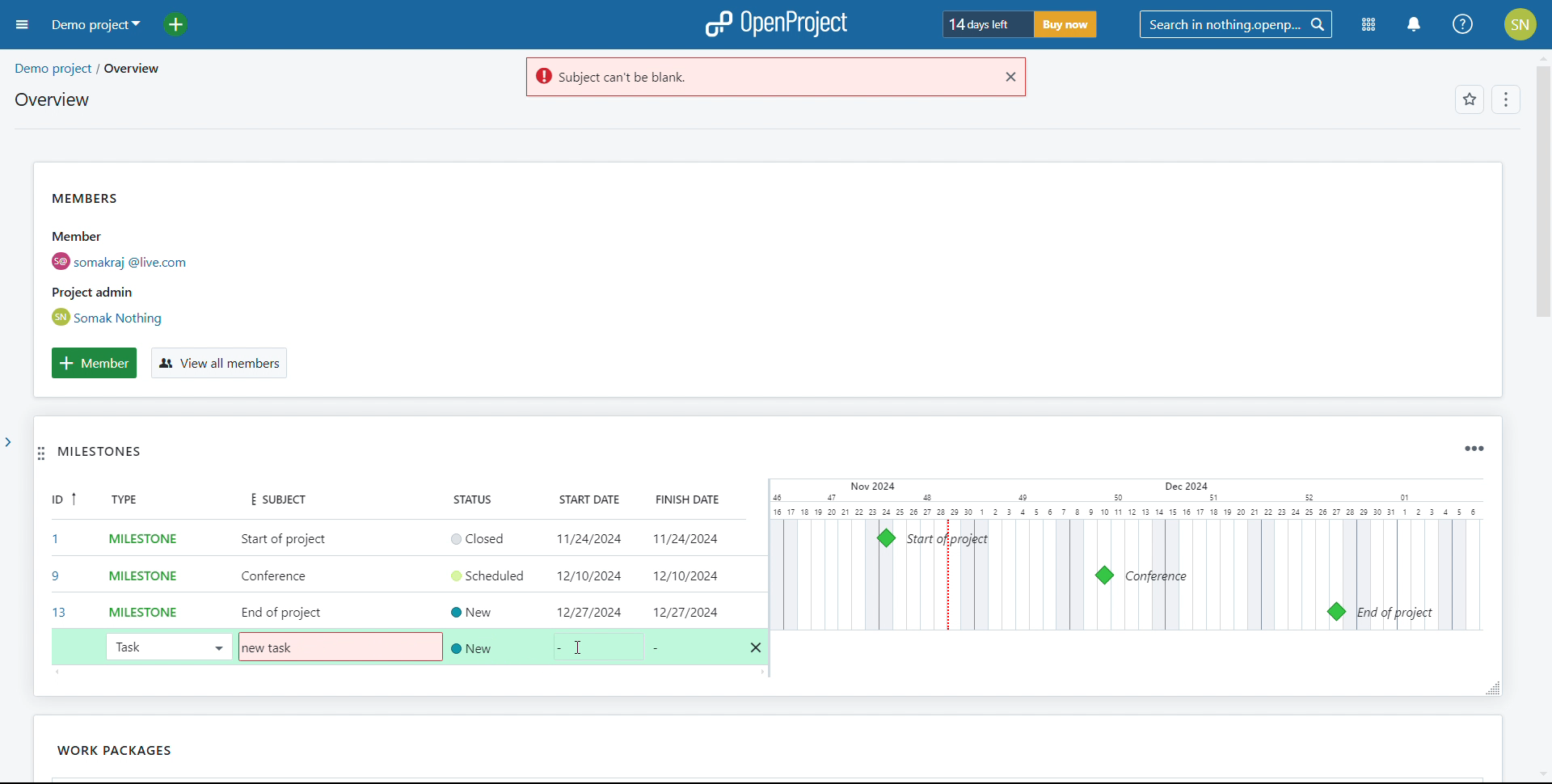 This screenshot has width=1552, height=784. What do you see at coordinates (167, 646) in the screenshot?
I see `task selected` at bounding box center [167, 646].